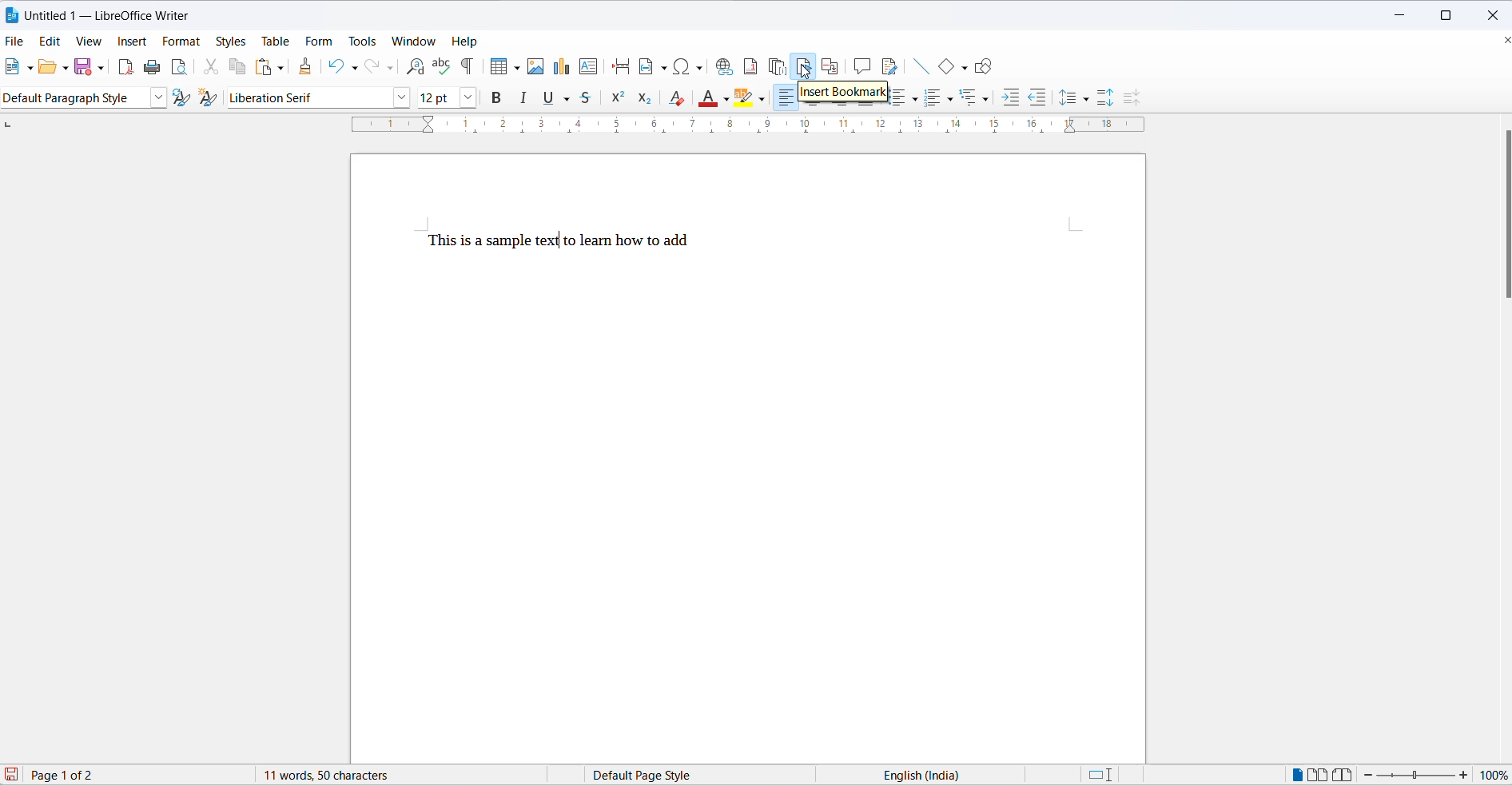 This screenshot has height=786, width=1512. What do you see at coordinates (230, 41) in the screenshot?
I see `styles` at bounding box center [230, 41].